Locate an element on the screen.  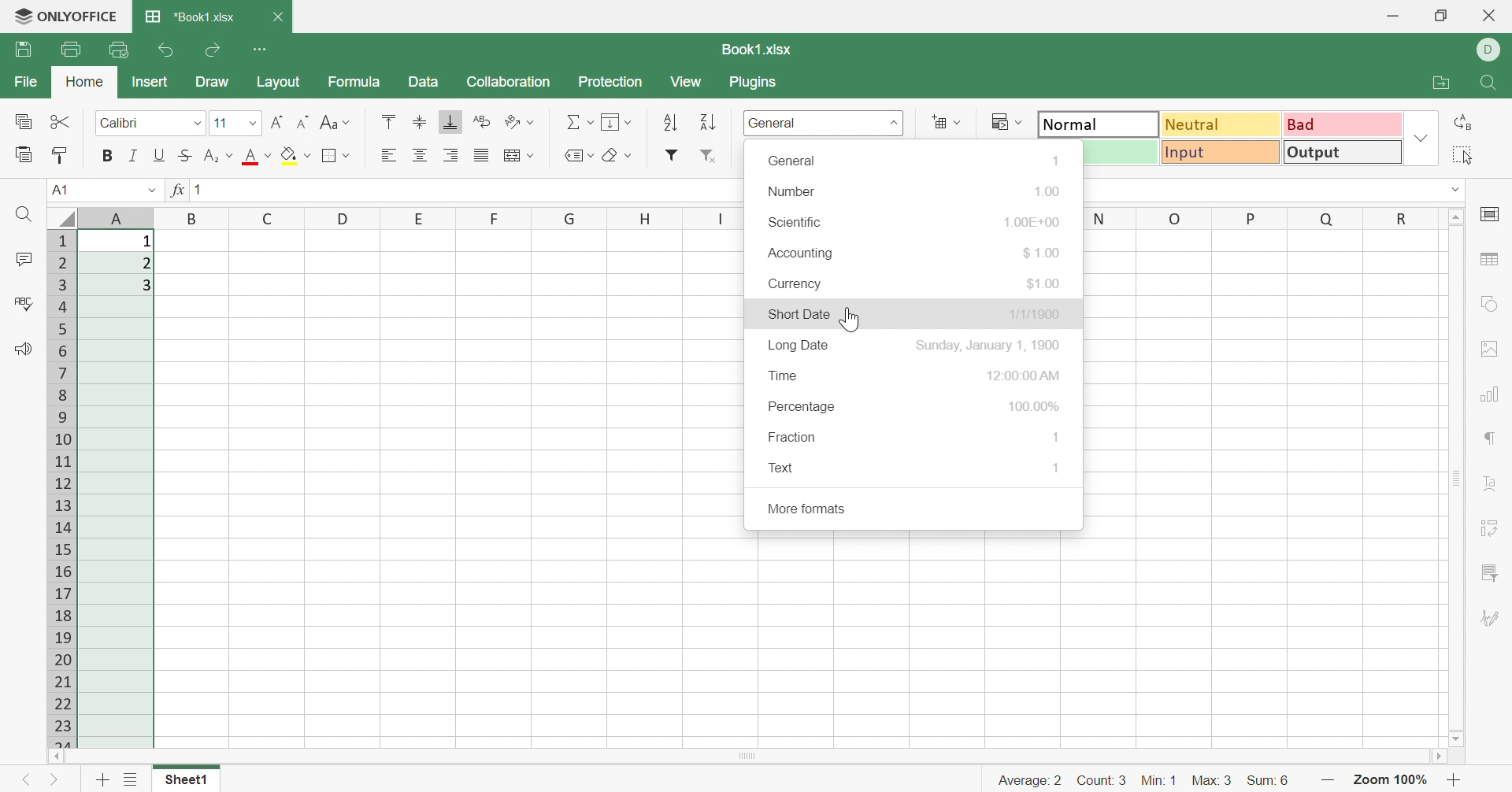
Conditional formatting is located at coordinates (1002, 120).